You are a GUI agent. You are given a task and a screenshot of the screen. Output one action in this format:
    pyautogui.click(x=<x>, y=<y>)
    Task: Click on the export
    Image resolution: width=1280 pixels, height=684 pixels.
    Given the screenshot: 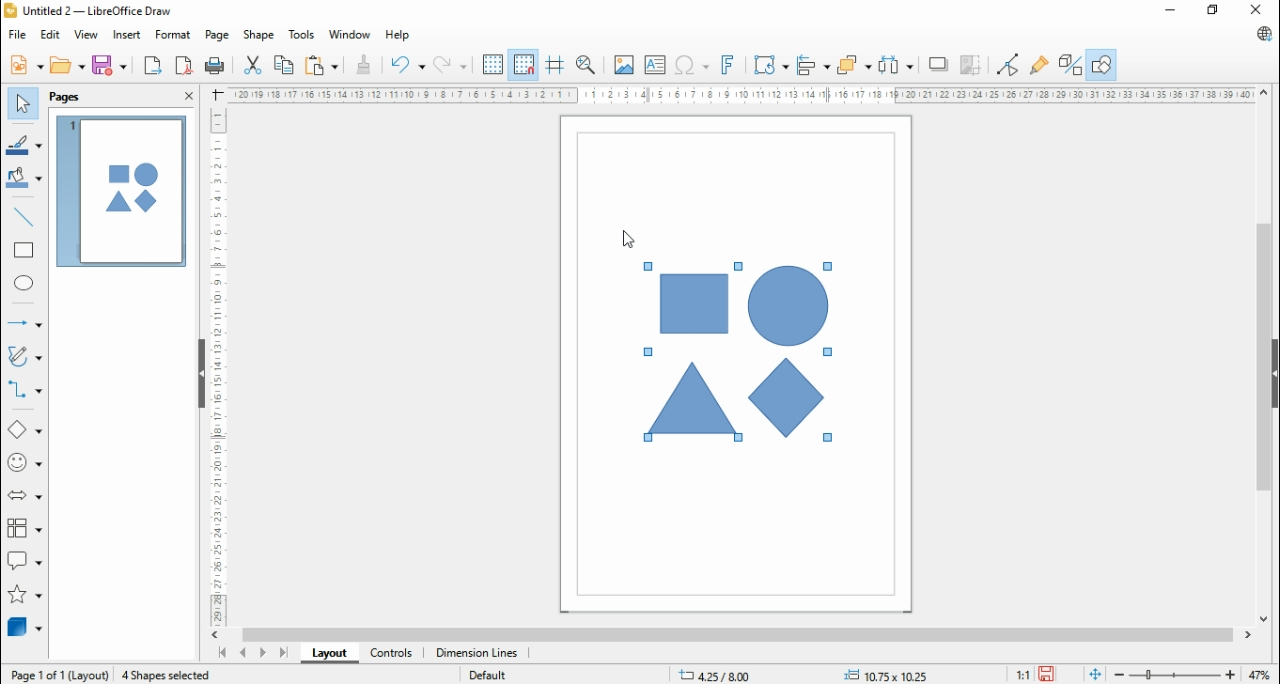 What is the action you would take?
    pyautogui.click(x=153, y=65)
    